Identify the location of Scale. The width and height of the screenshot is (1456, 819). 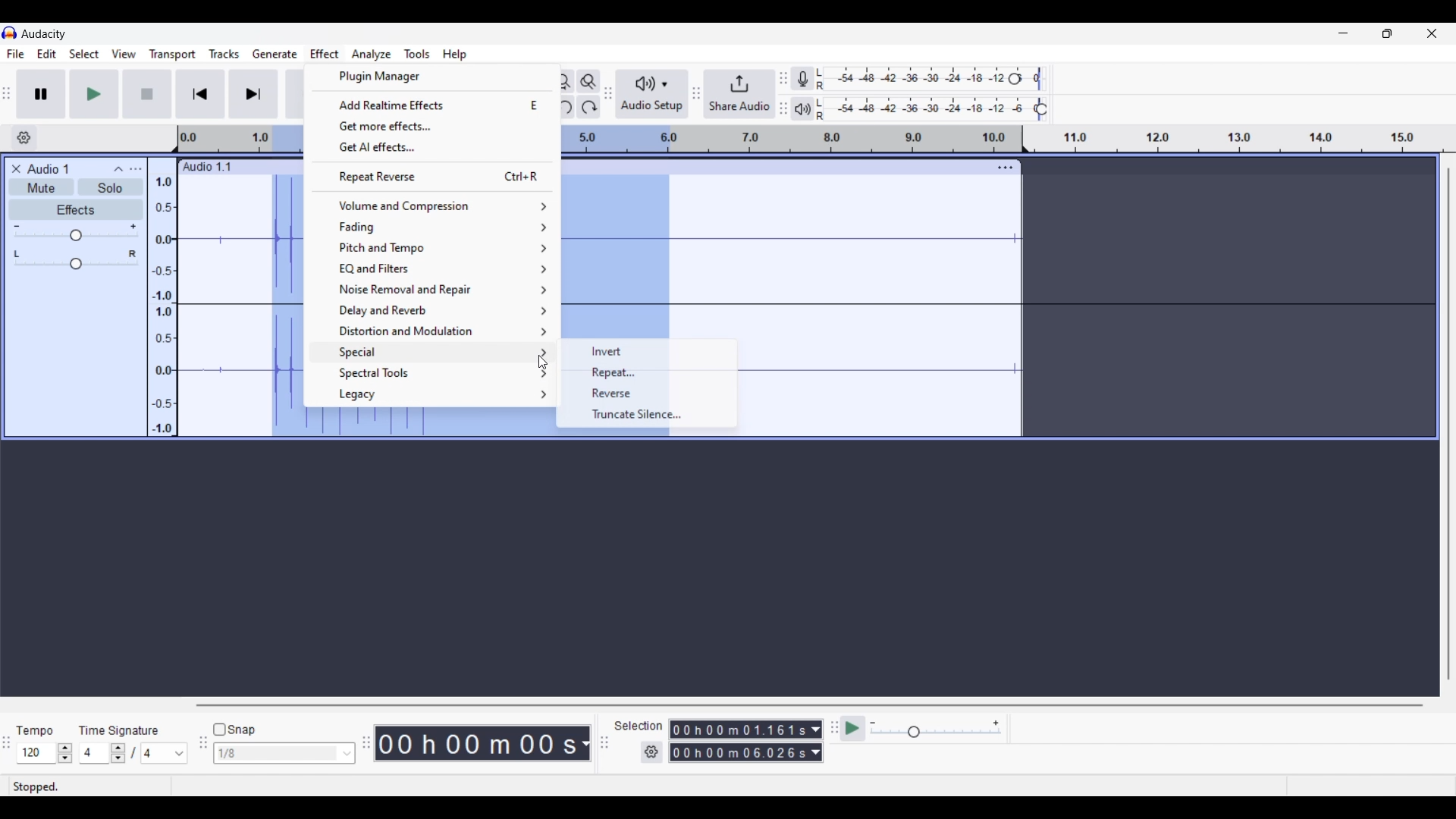
(240, 140).